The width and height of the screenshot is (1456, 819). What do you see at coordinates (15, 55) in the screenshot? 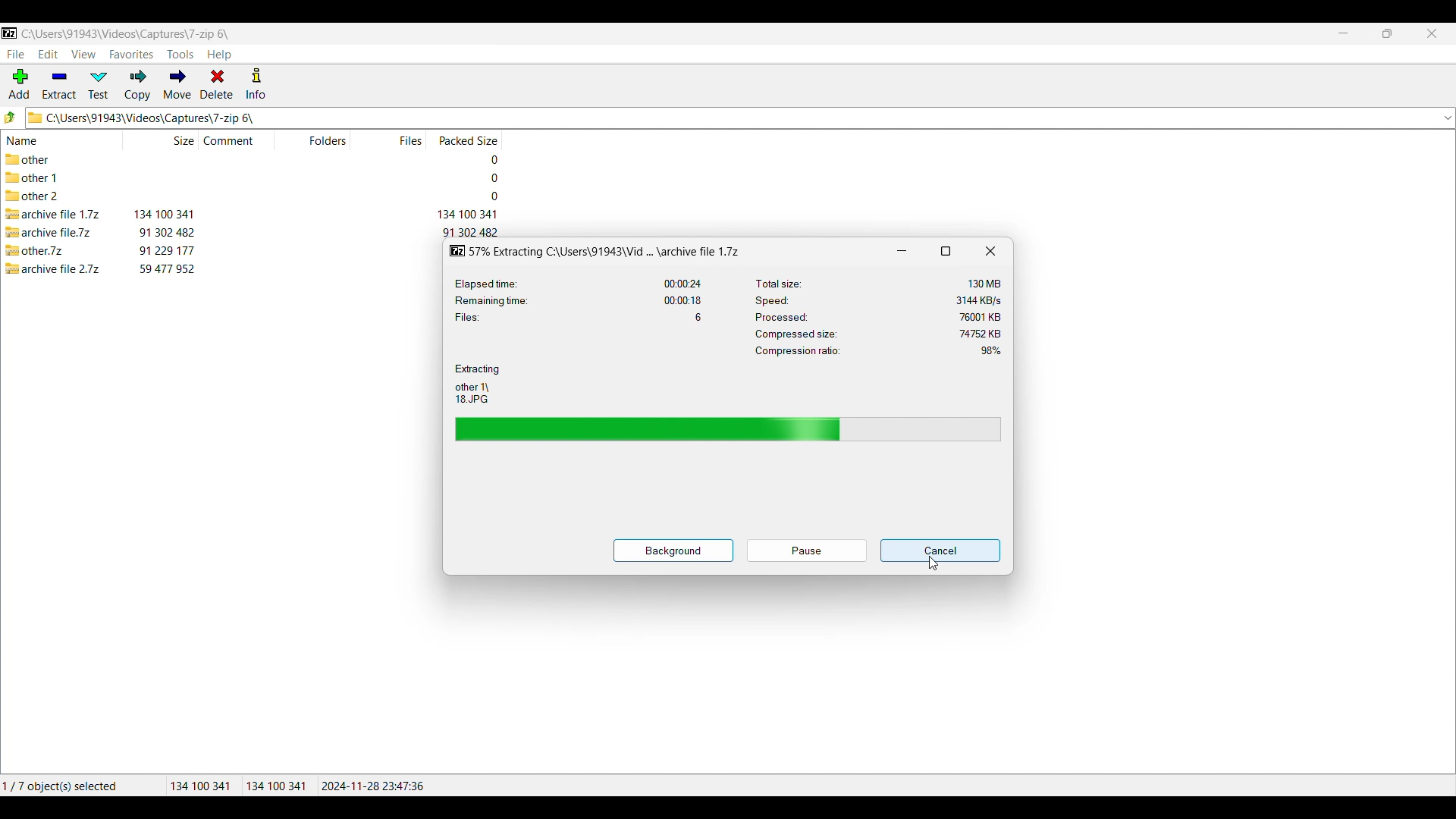
I see `File menu` at bounding box center [15, 55].